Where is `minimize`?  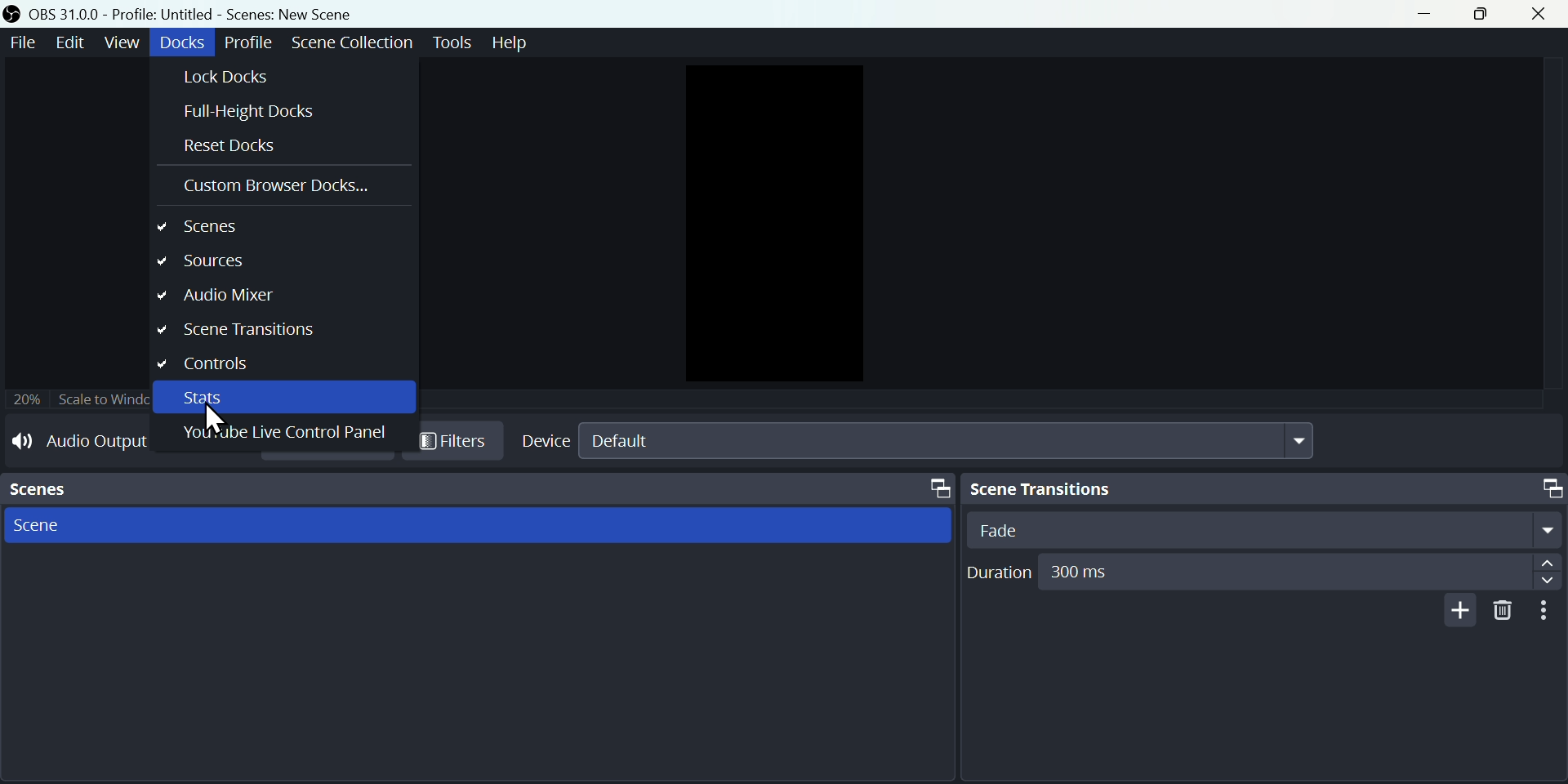 minimize is located at coordinates (1423, 16).